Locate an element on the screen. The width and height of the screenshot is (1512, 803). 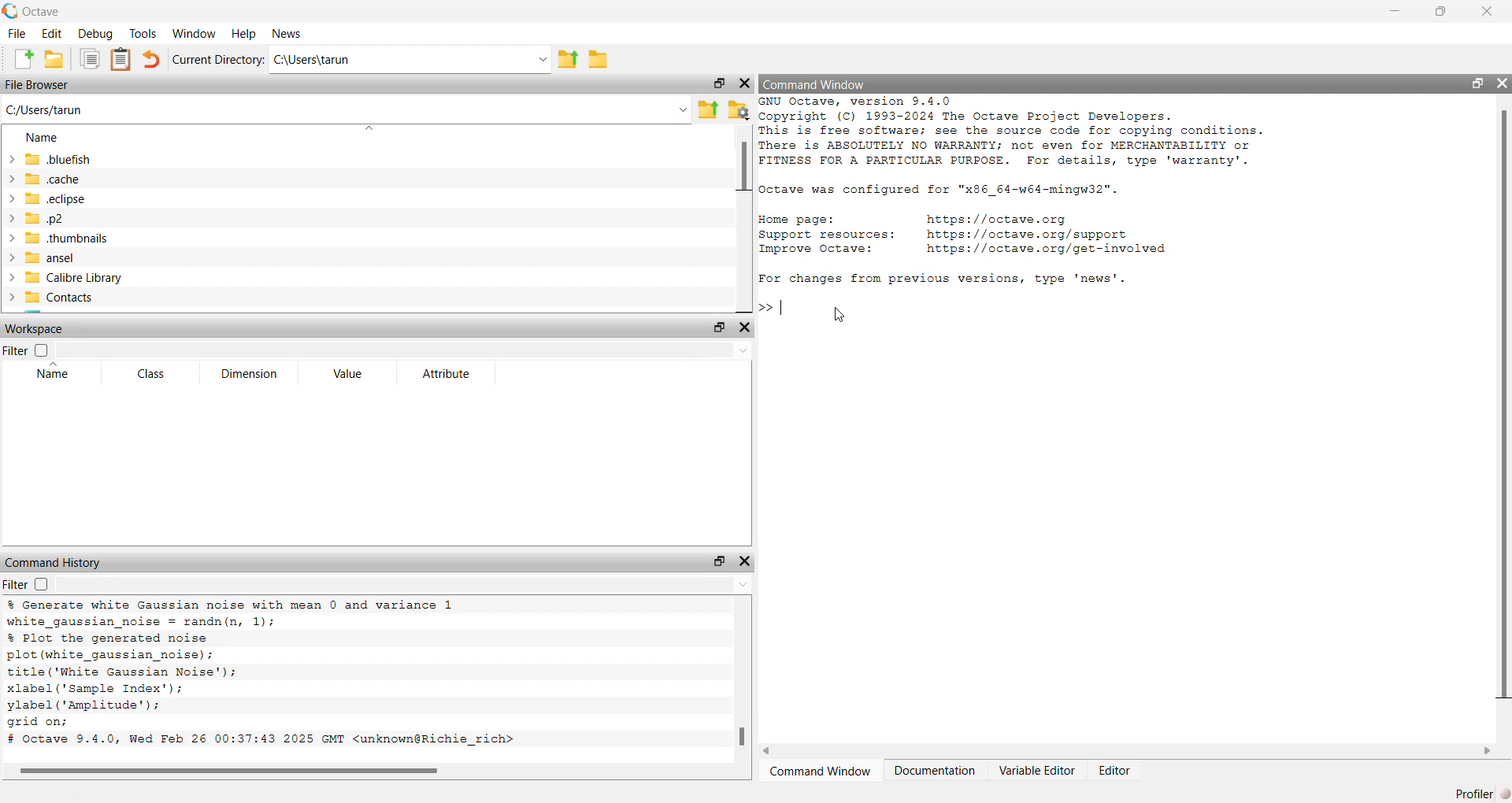
close is located at coordinates (744, 328).